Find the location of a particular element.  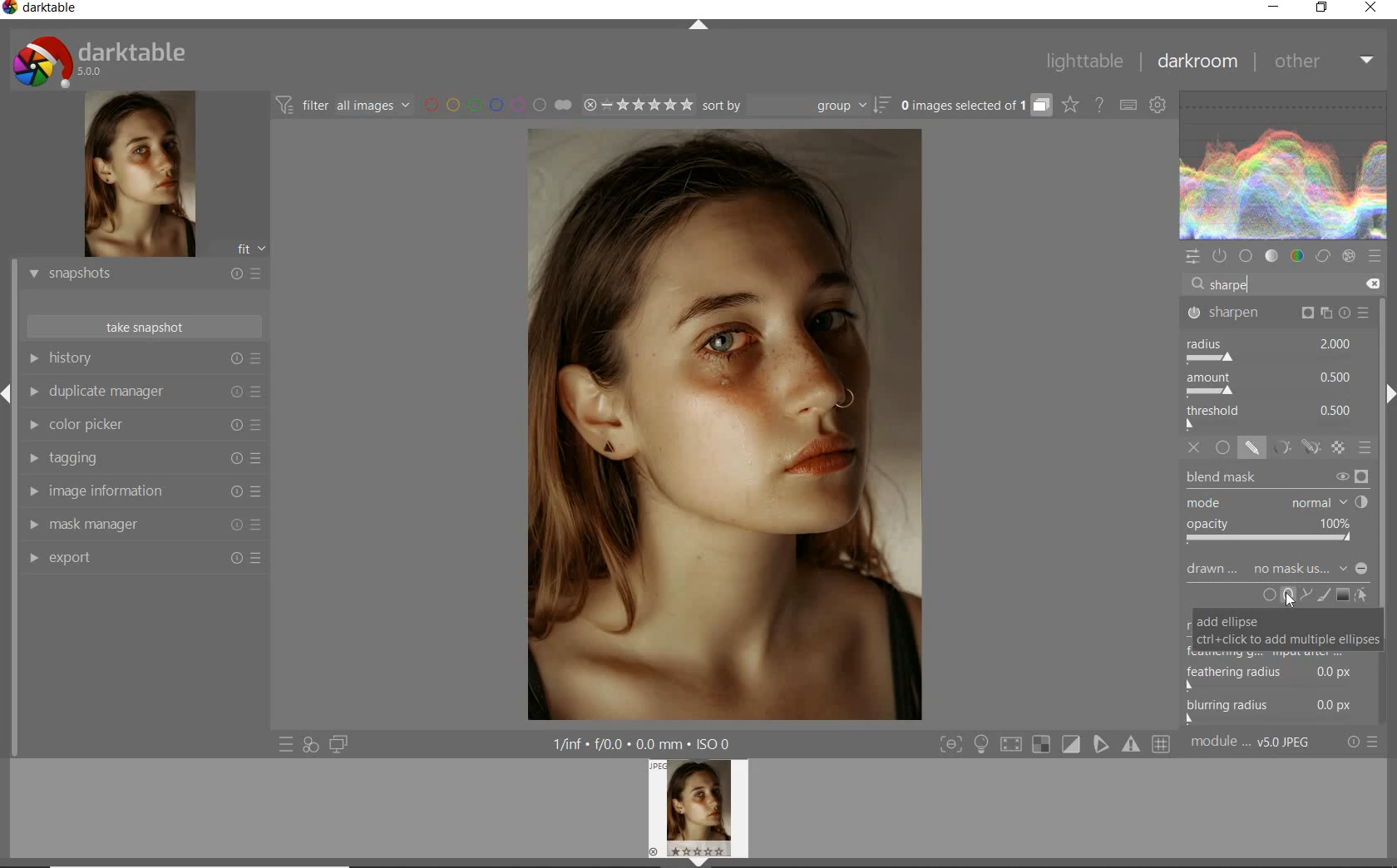

export is located at coordinates (144, 560).